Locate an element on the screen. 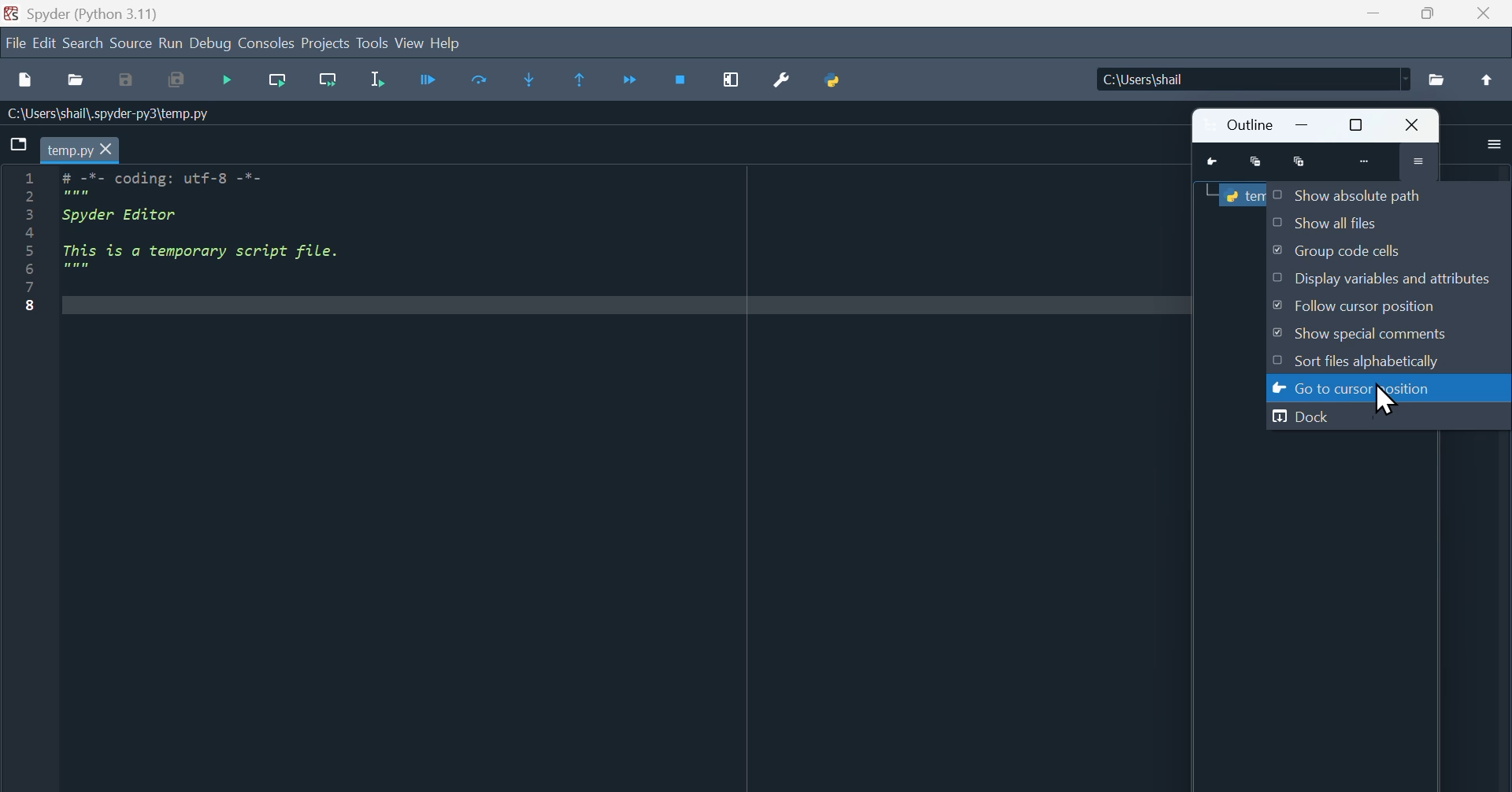  Up to is located at coordinates (1487, 79).